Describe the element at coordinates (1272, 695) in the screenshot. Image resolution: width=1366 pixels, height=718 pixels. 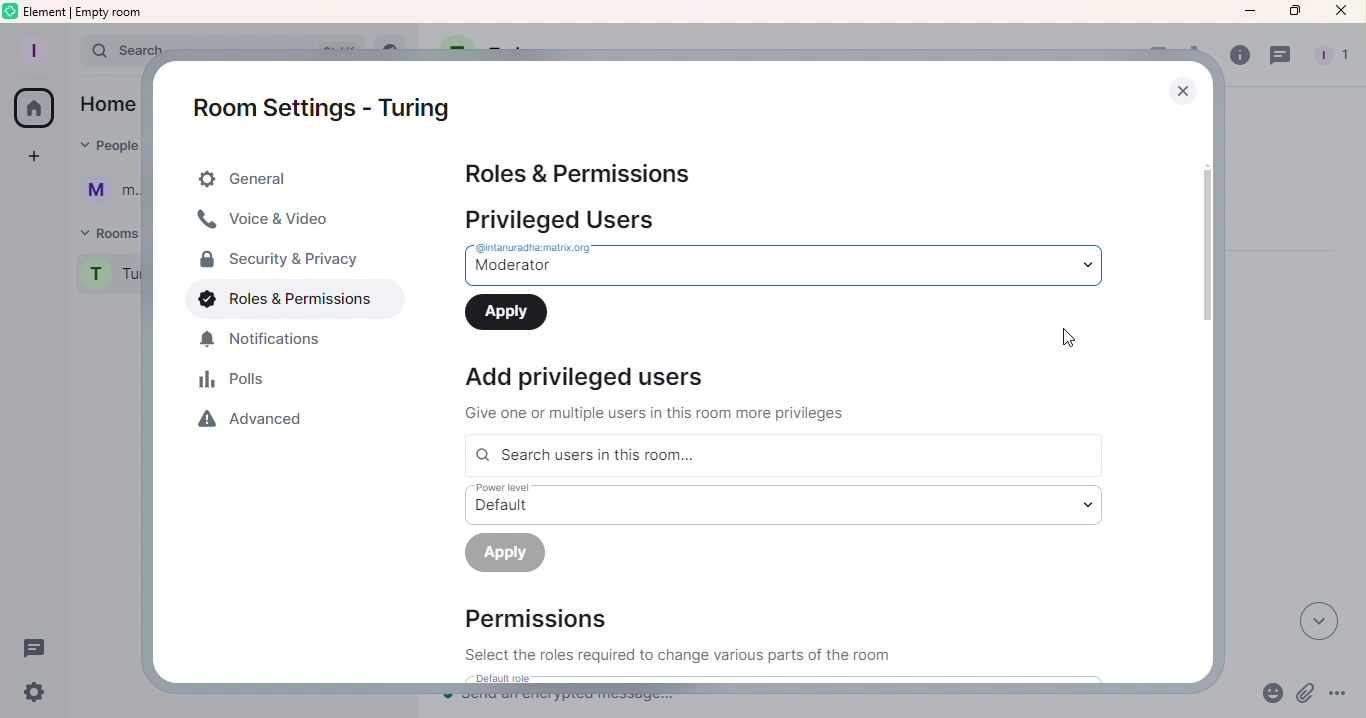
I see `Emoji` at that location.